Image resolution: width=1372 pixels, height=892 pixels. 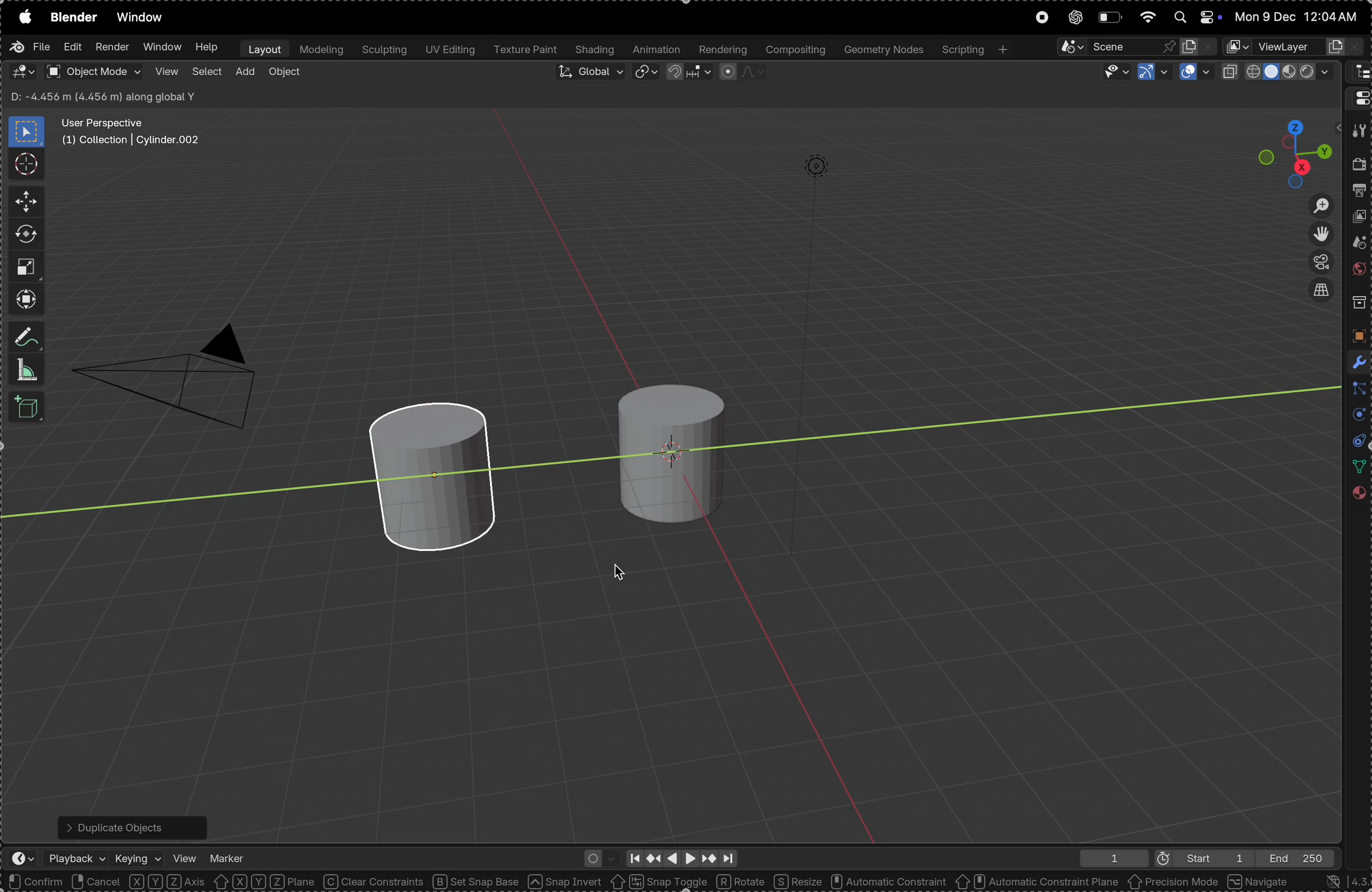 I want to click on material, so click(x=1358, y=497).